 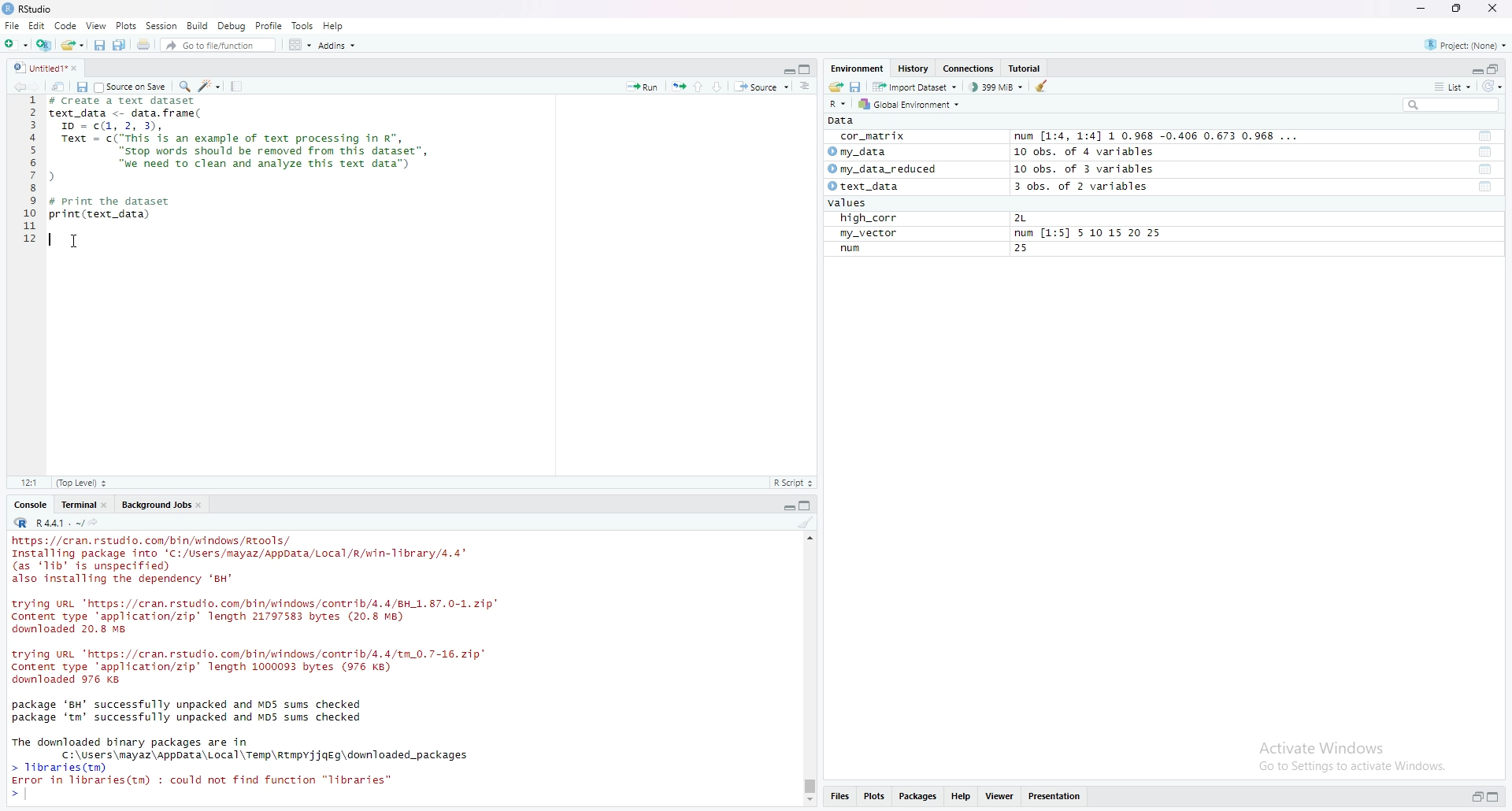 What do you see at coordinates (48, 524) in the screenshot?
I see `R.4.4.1` at bounding box center [48, 524].